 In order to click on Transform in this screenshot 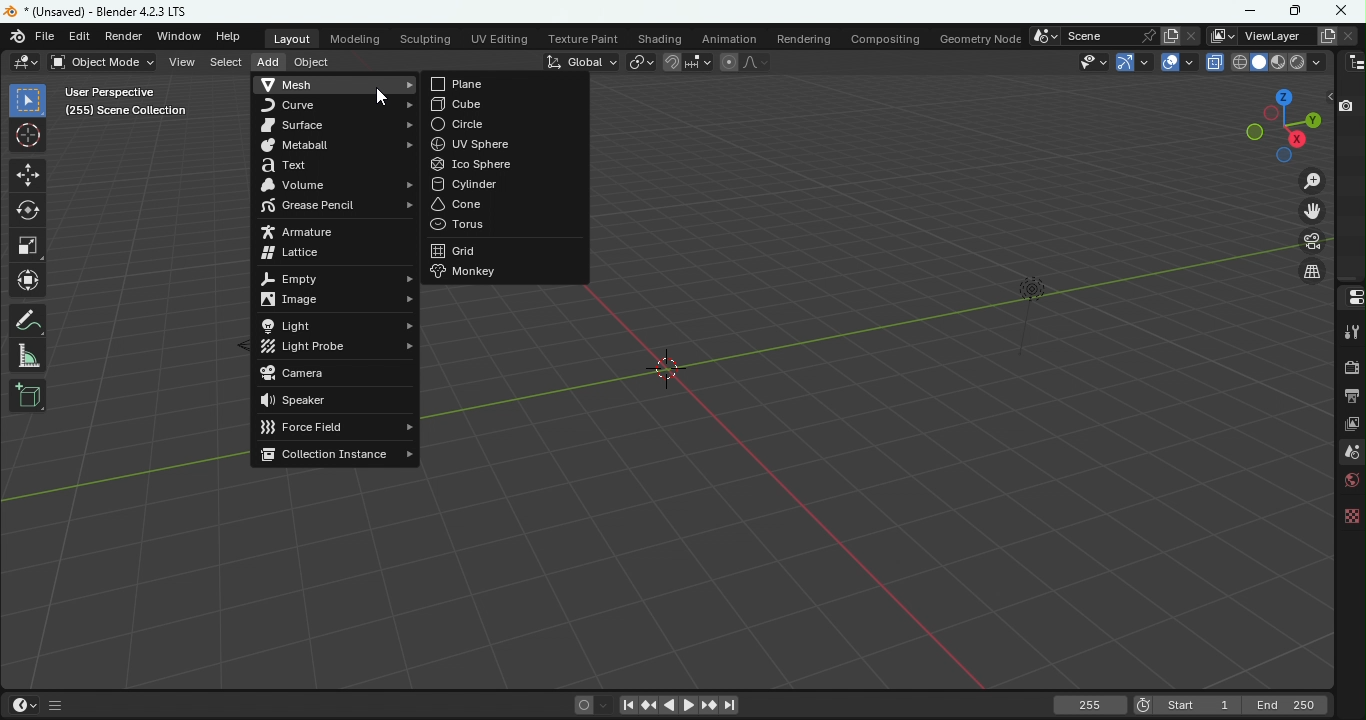, I will do `click(28, 282)`.